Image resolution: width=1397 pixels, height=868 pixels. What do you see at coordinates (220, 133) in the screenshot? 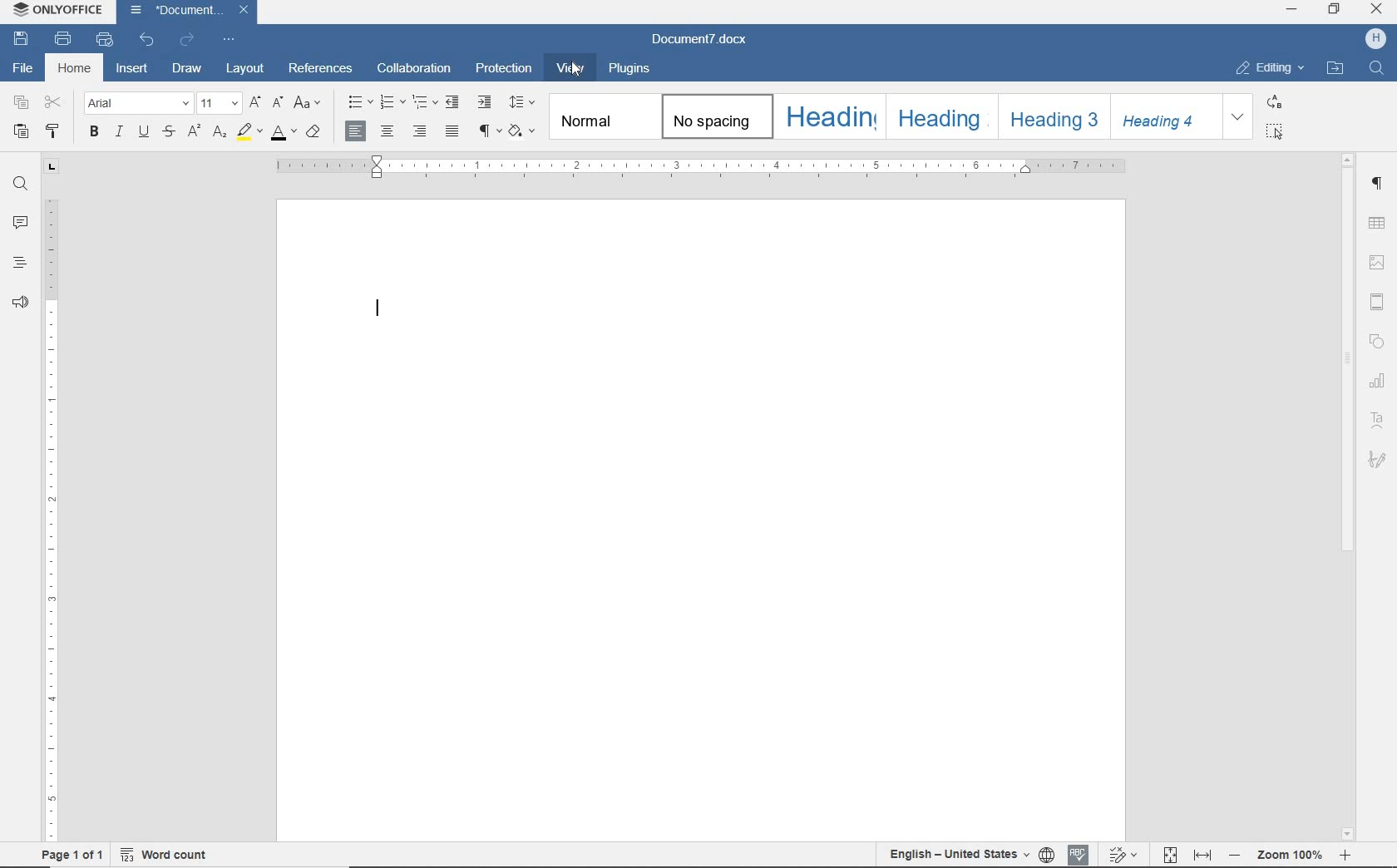
I see `SUBSCRIPT` at bounding box center [220, 133].